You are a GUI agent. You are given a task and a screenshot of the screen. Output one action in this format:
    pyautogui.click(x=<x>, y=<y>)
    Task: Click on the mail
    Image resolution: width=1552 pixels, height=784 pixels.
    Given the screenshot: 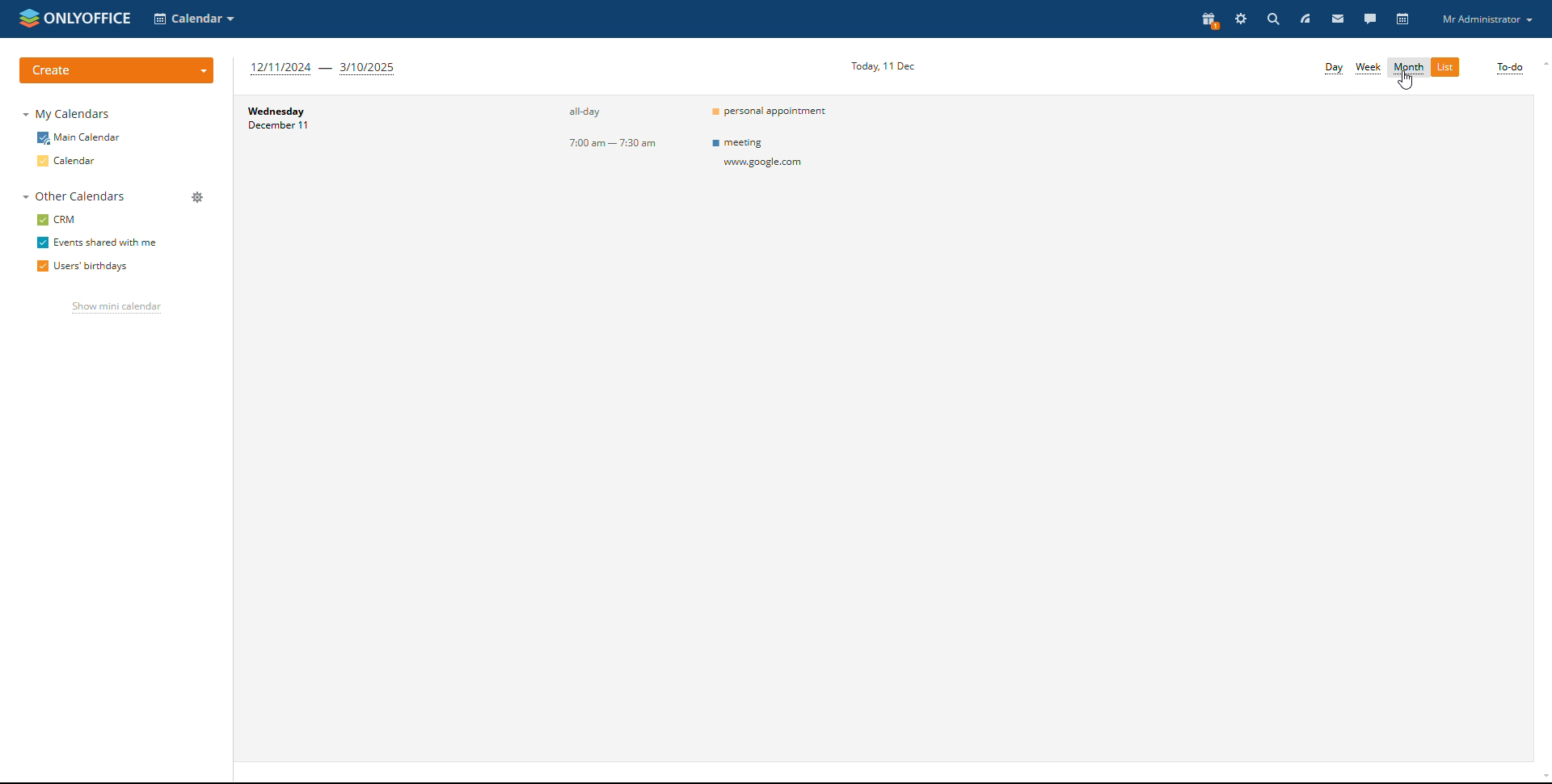 What is the action you would take?
    pyautogui.click(x=1337, y=18)
    